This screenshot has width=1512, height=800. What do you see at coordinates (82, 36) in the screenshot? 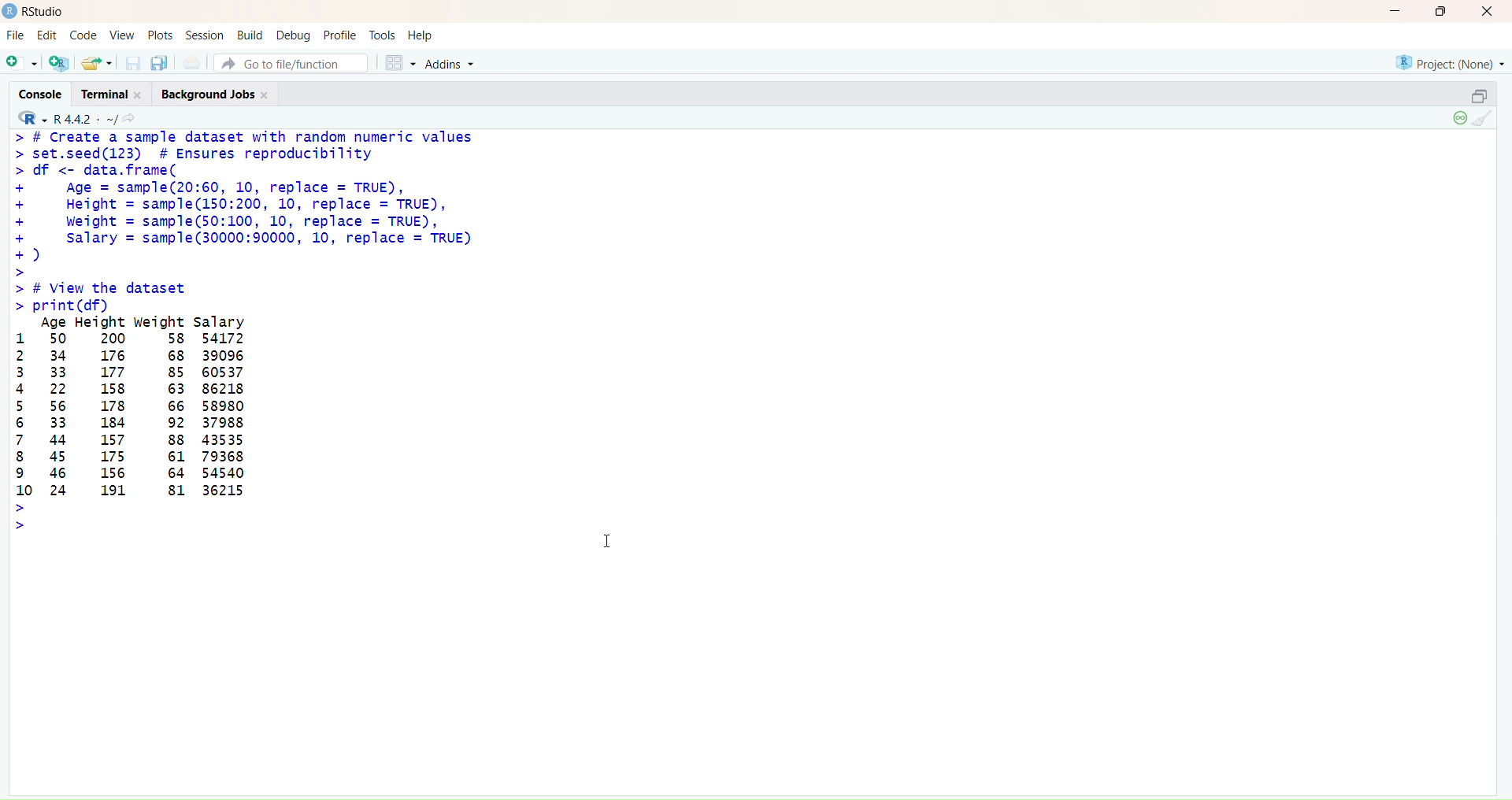
I see `Code` at bounding box center [82, 36].